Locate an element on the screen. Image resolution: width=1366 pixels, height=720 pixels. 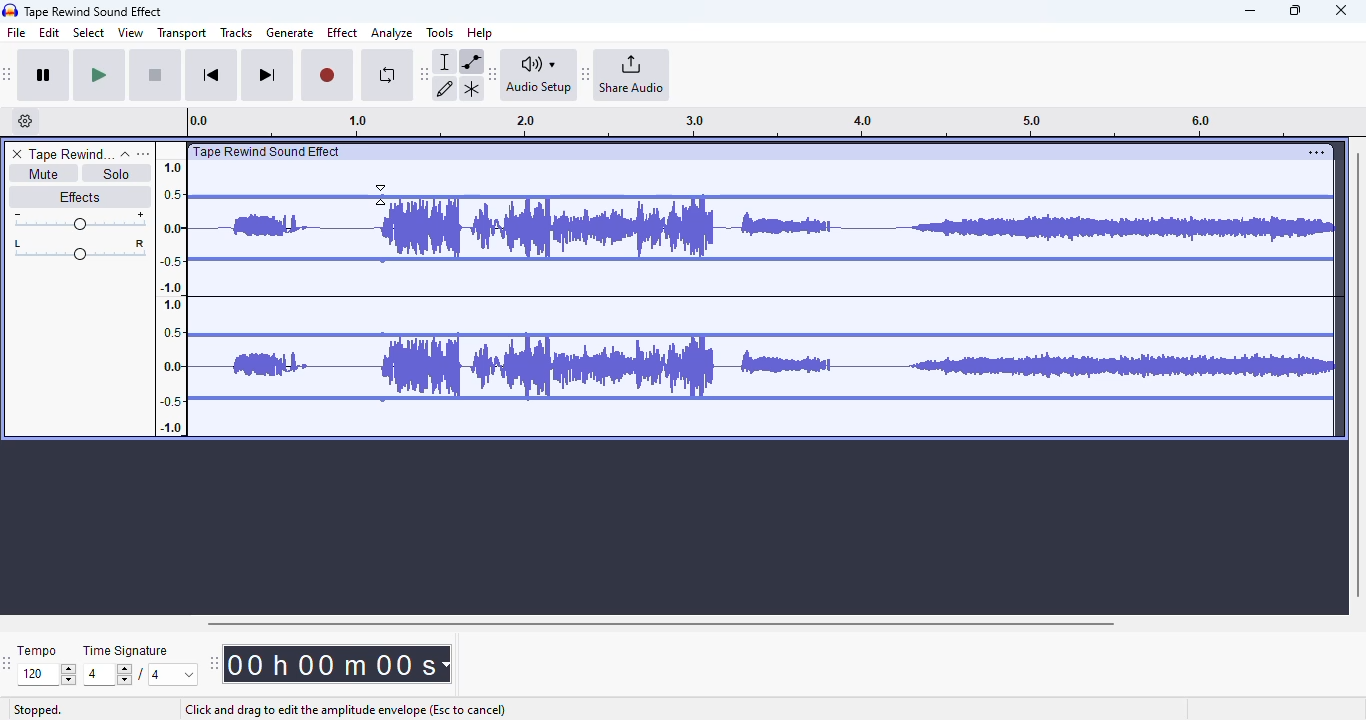
Time measurement options is located at coordinates (445, 664).